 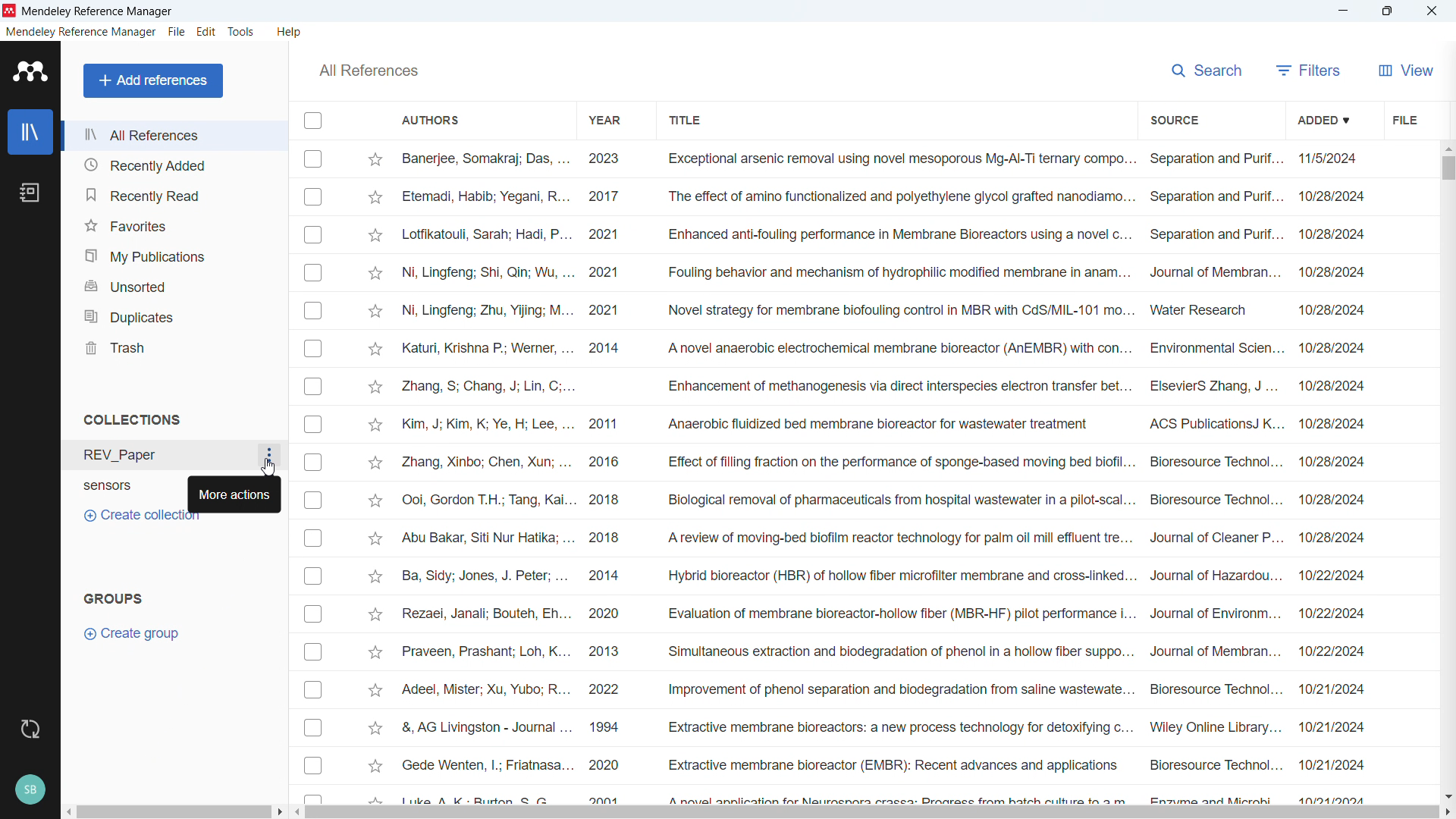 What do you see at coordinates (313, 386) in the screenshot?
I see `Select respective publication` at bounding box center [313, 386].